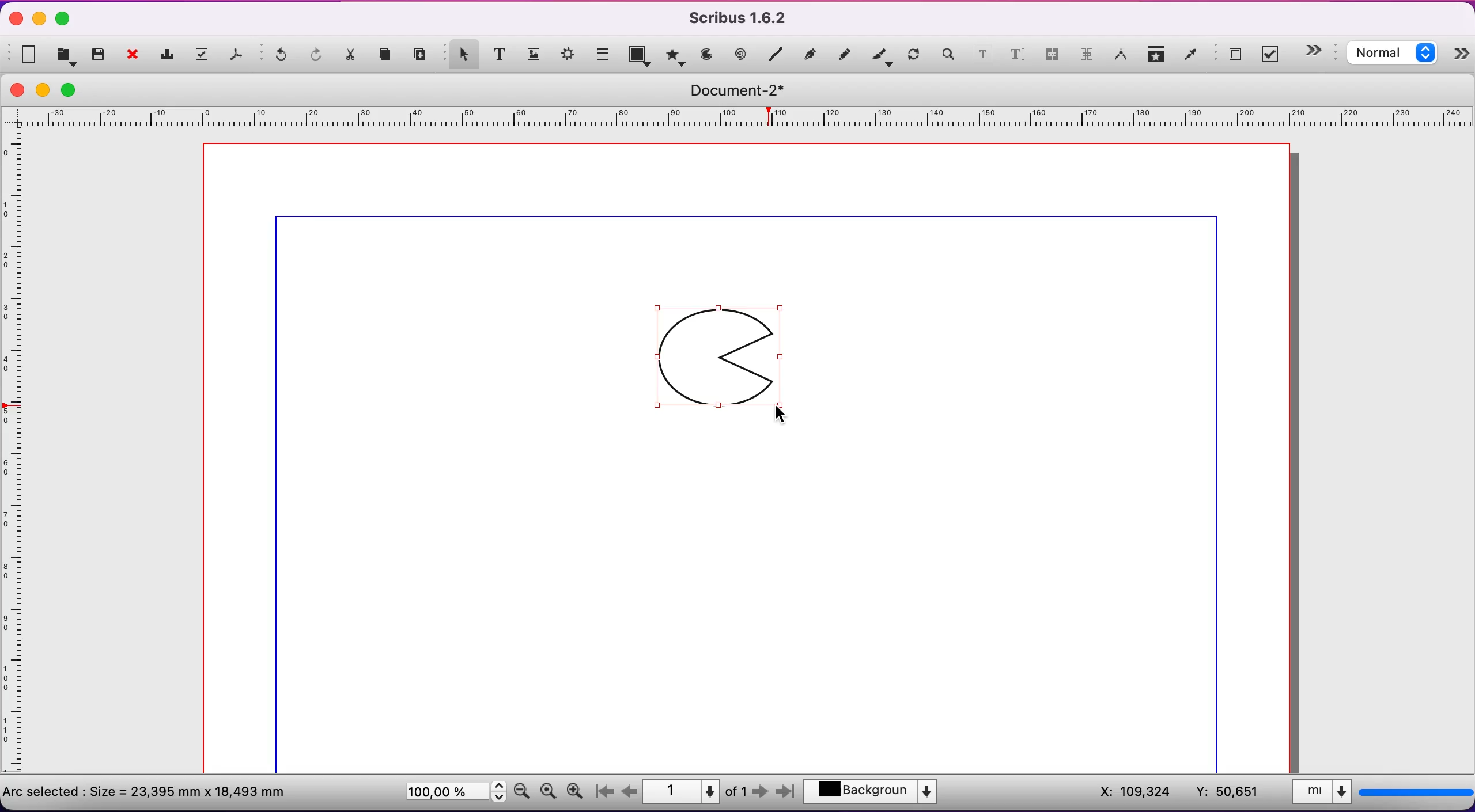 The width and height of the screenshot is (1475, 812). What do you see at coordinates (1087, 56) in the screenshot?
I see `unlink text frames` at bounding box center [1087, 56].